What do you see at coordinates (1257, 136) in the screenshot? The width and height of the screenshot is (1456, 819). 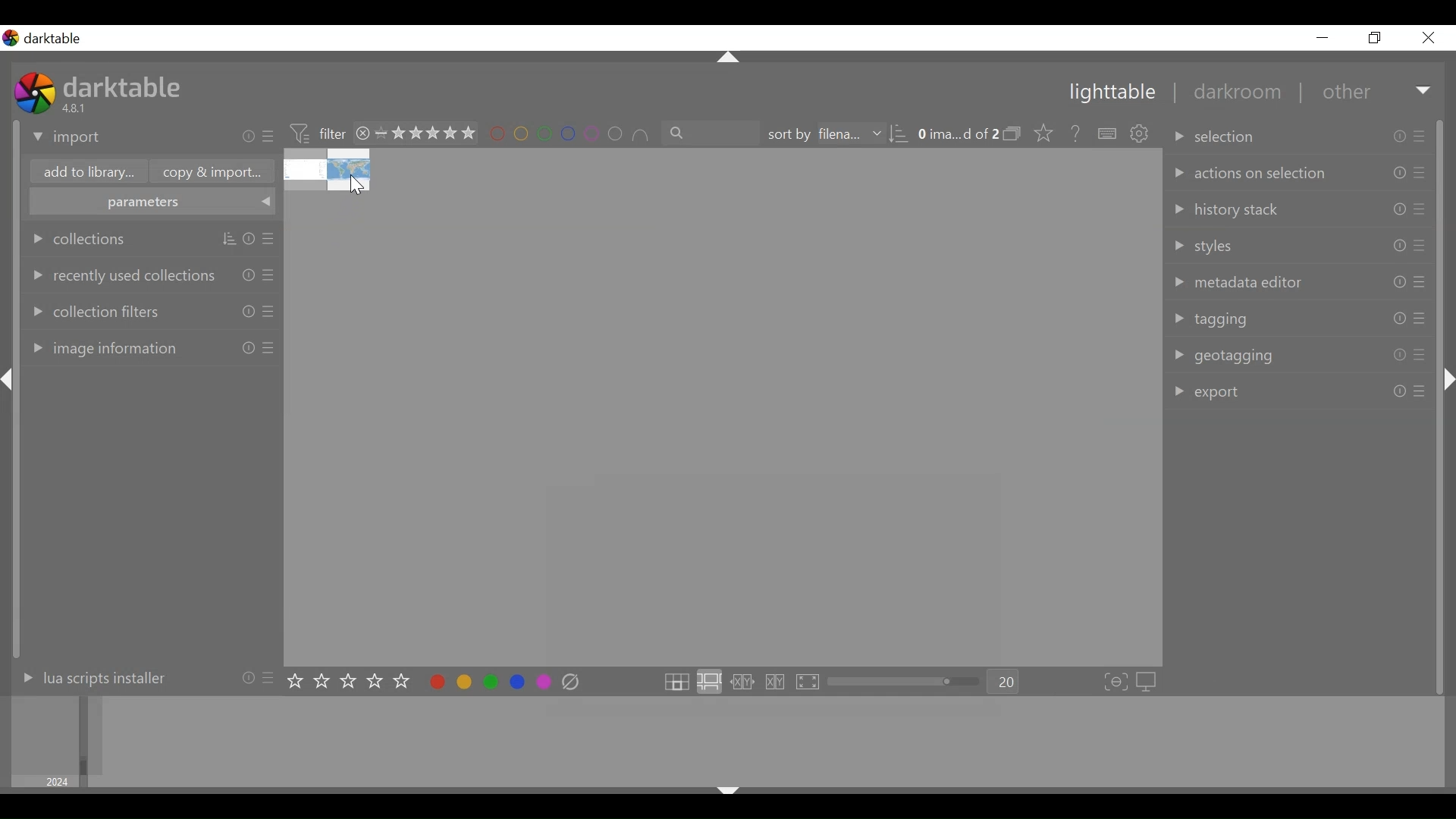 I see `selection` at bounding box center [1257, 136].